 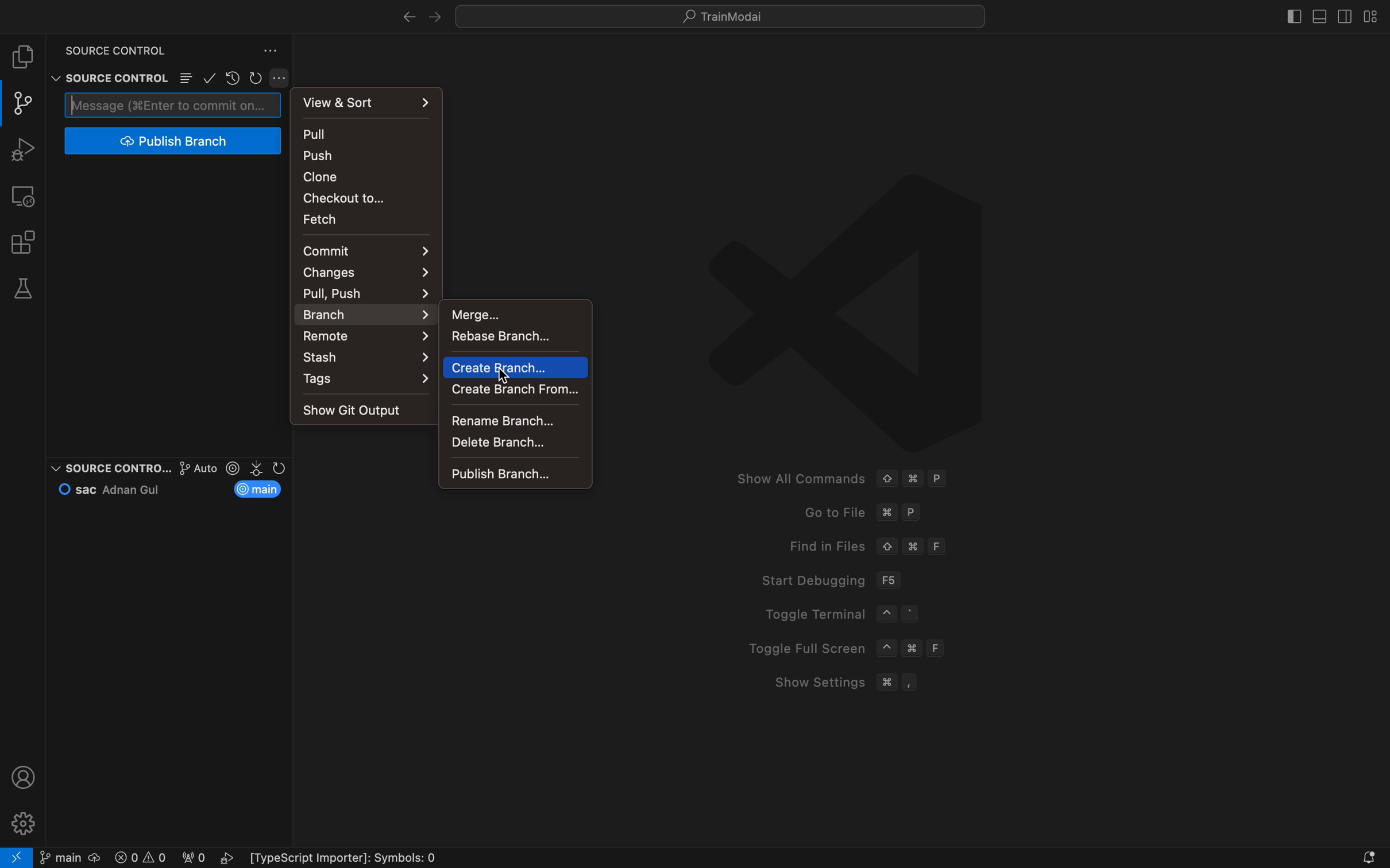 I want to click on Notifications , so click(x=1368, y=857).